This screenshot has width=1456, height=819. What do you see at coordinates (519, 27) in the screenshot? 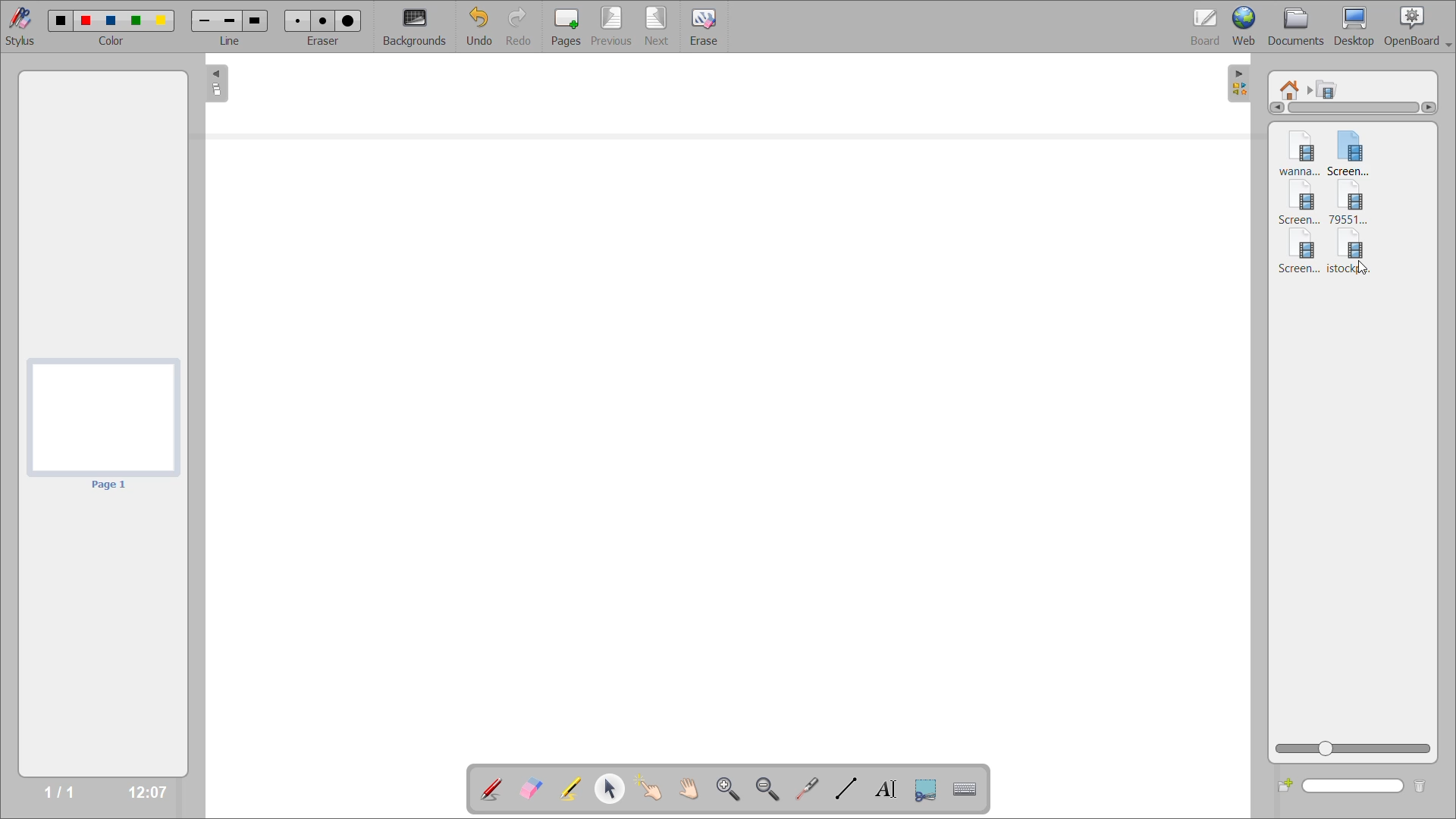
I see `redo` at bounding box center [519, 27].